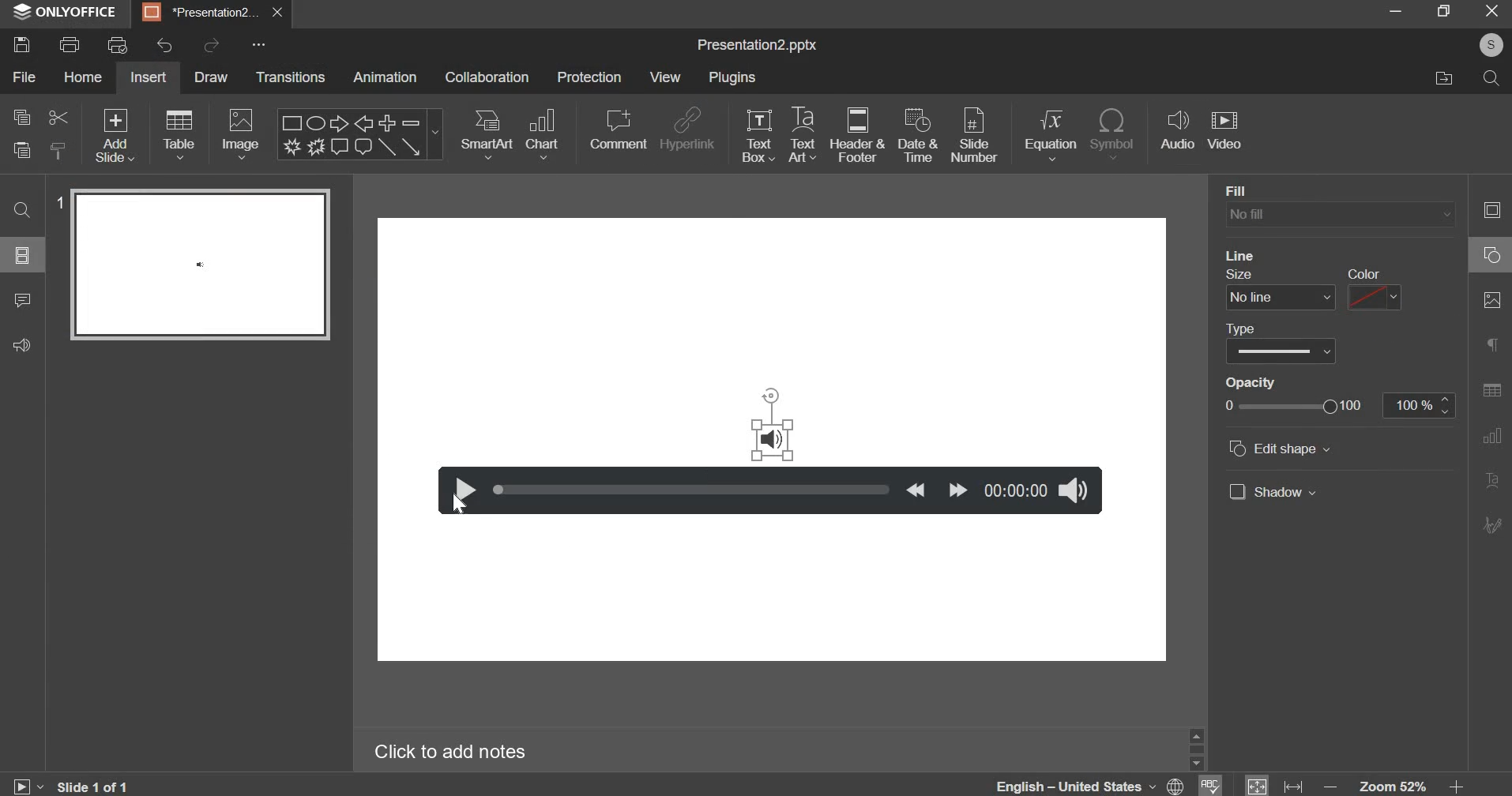 This screenshot has height=796, width=1512. I want to click on click here to add notes, so click(451, 749).